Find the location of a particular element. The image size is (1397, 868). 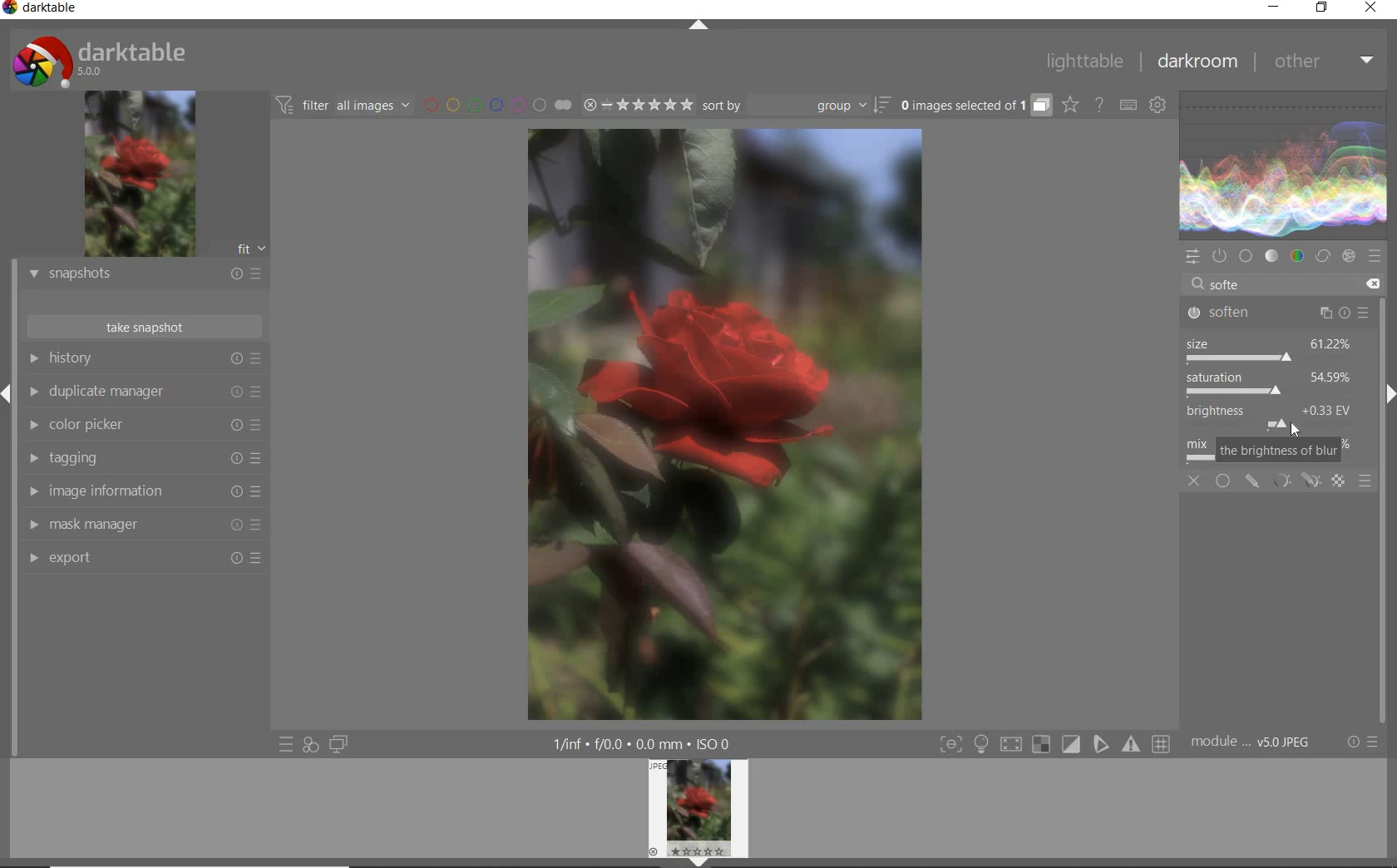

selected image is located at coordinates (723, 423).